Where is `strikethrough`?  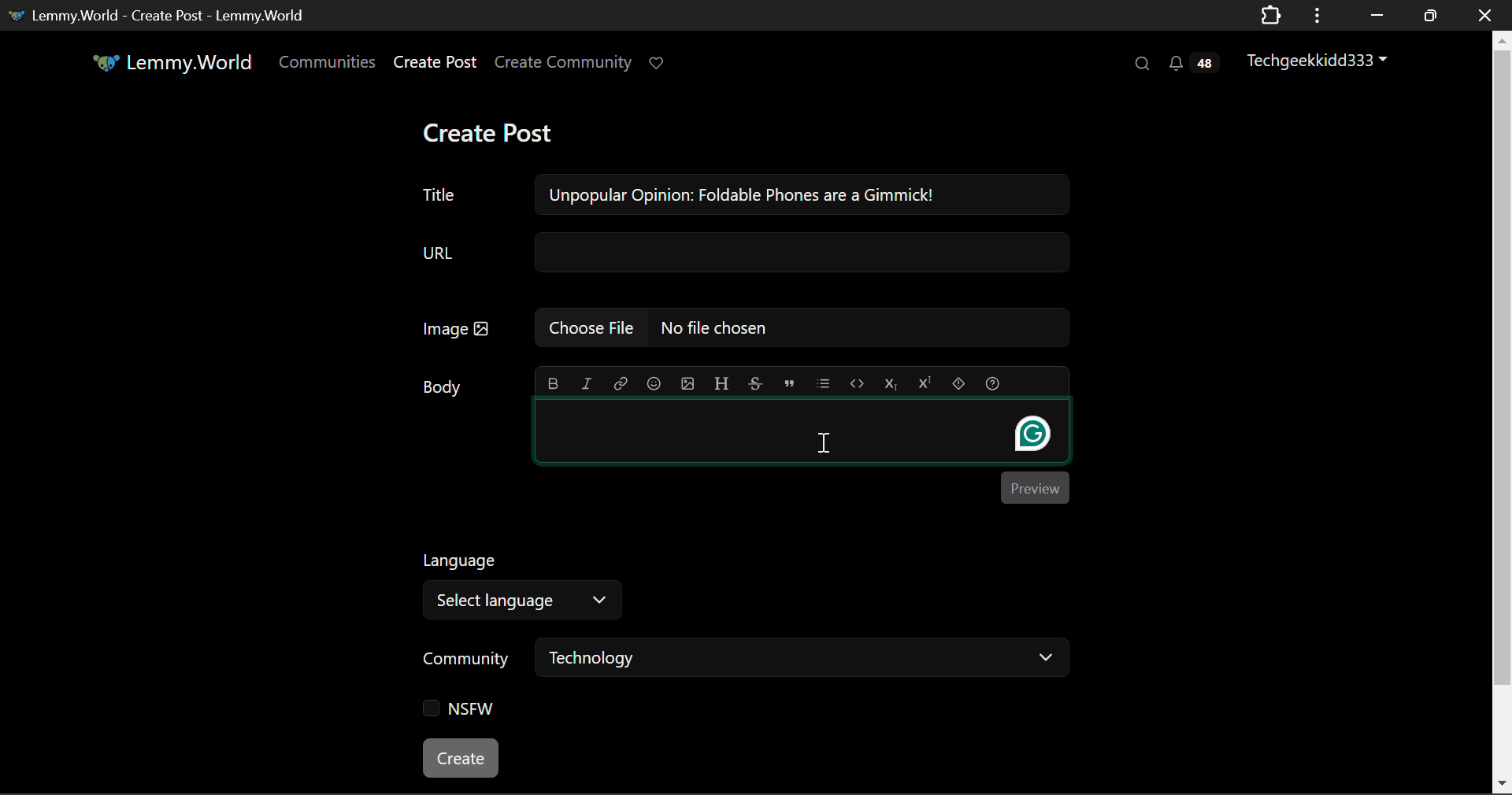
strikethrough is located at coordinates (756, 383).